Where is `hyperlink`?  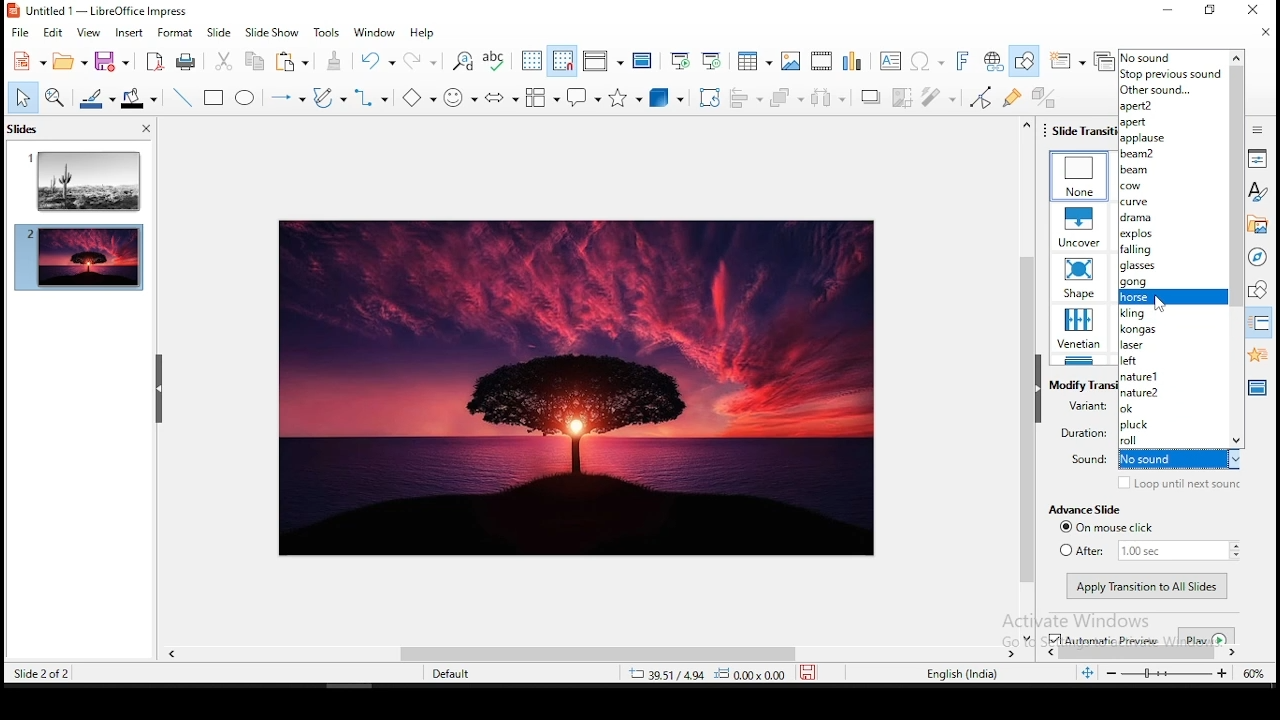
hyperlink is located at coordinates (995, 60).